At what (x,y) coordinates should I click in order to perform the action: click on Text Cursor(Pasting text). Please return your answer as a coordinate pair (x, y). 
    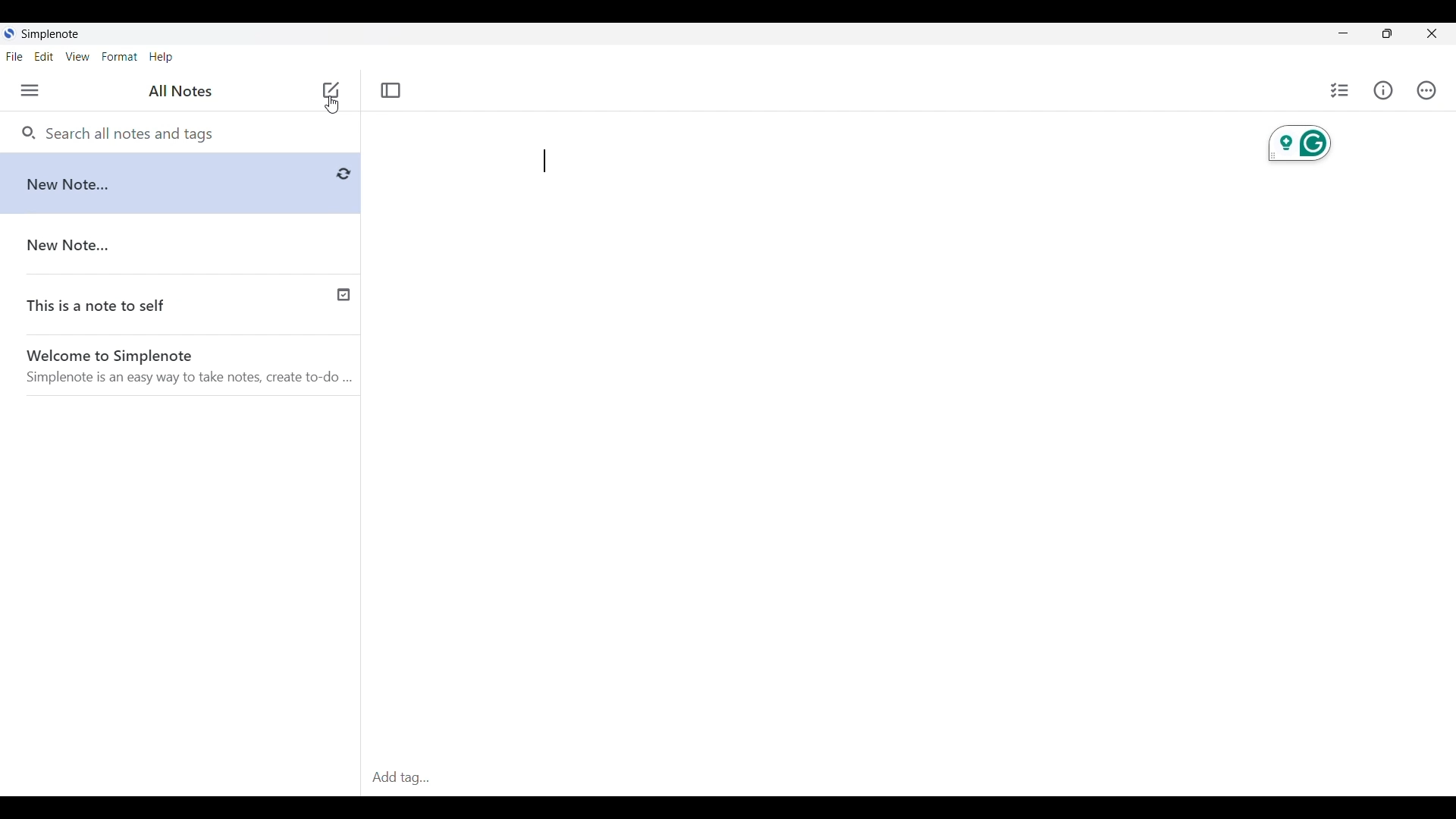
    Looking at the image, I should click on (544, 161).